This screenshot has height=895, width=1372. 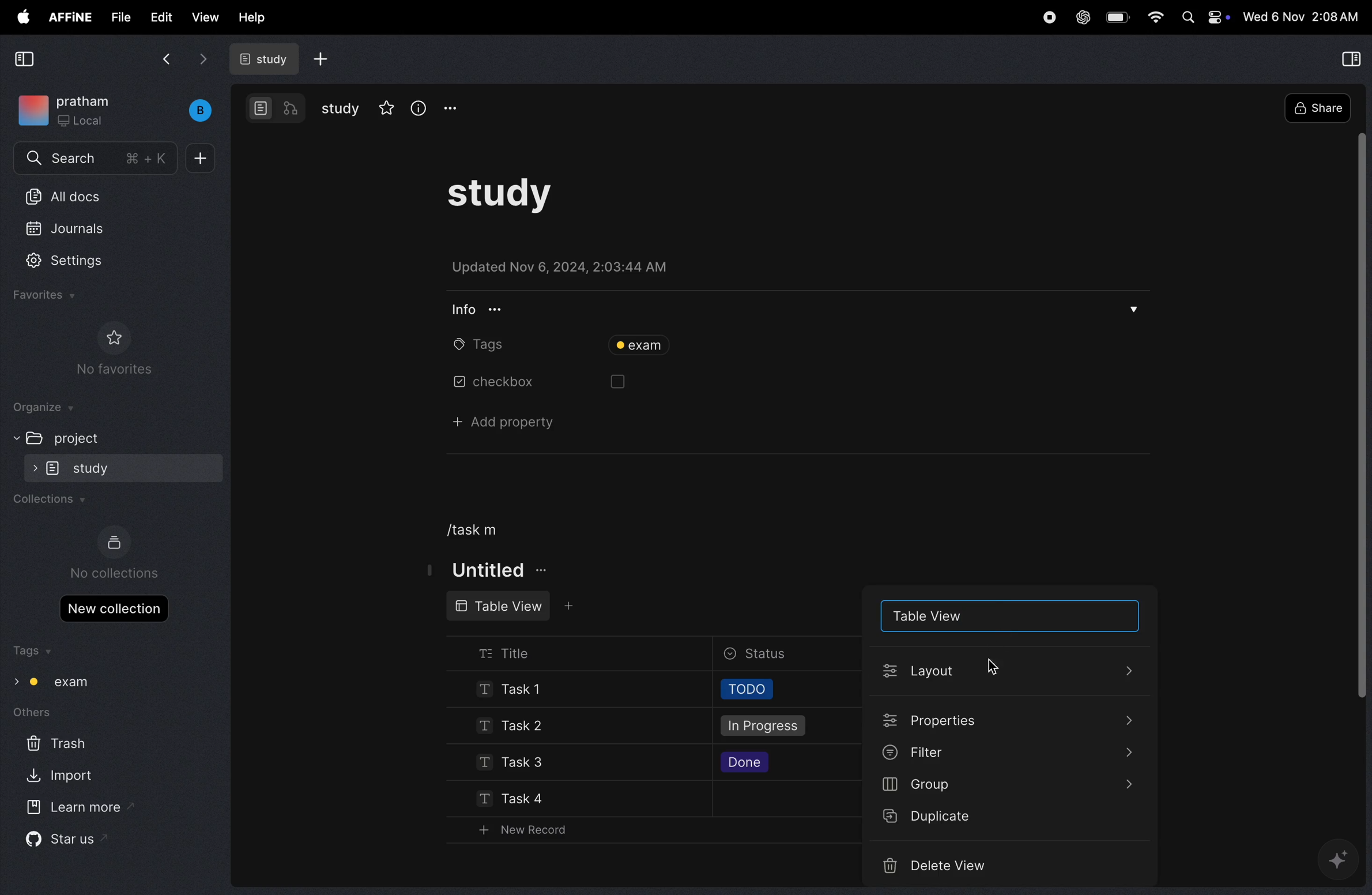 I want to click on affine, so click(x=69, y=17).